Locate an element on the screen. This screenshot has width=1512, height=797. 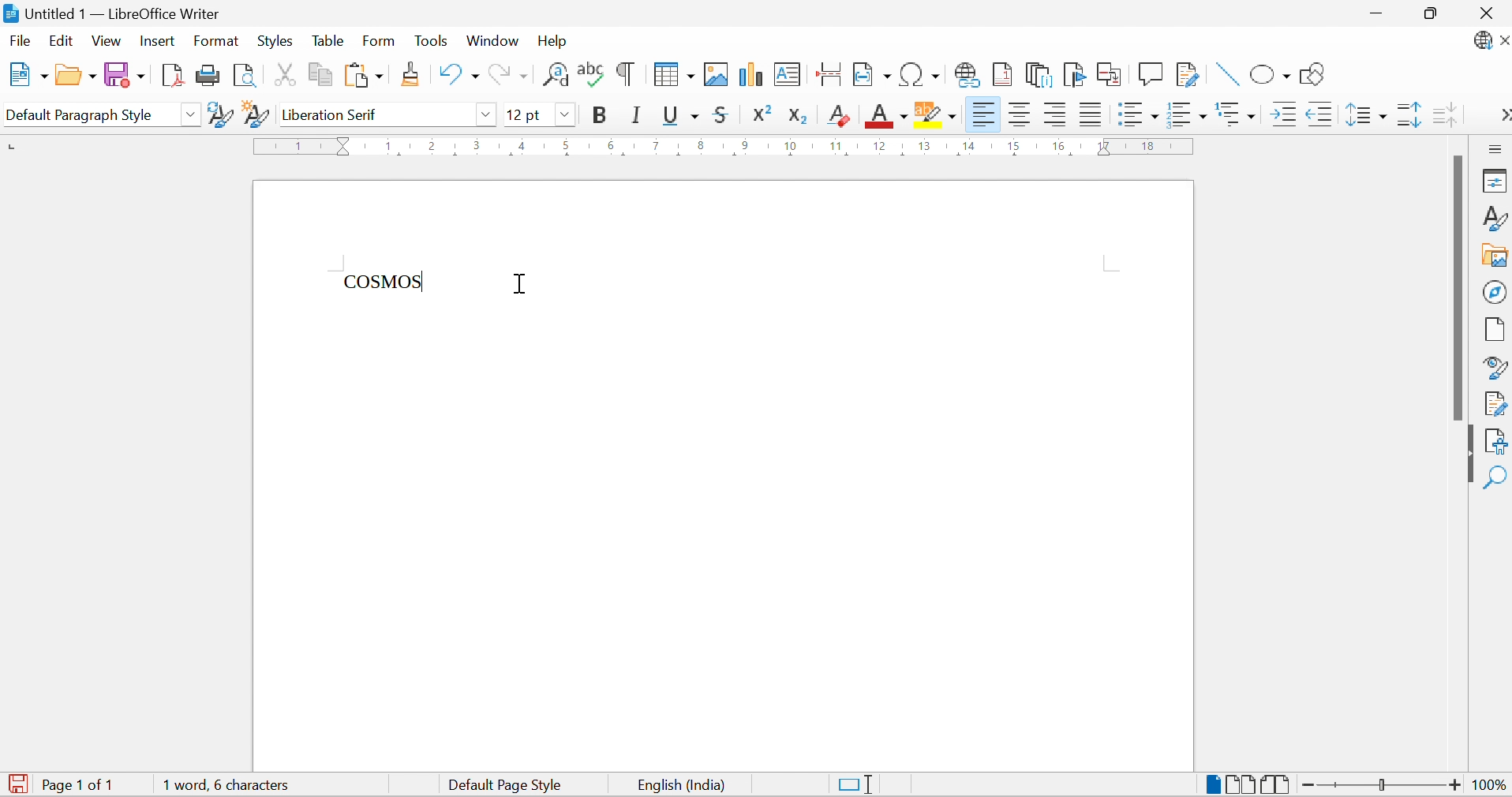
Accessibility Check is located at coordinates (1497, 440).